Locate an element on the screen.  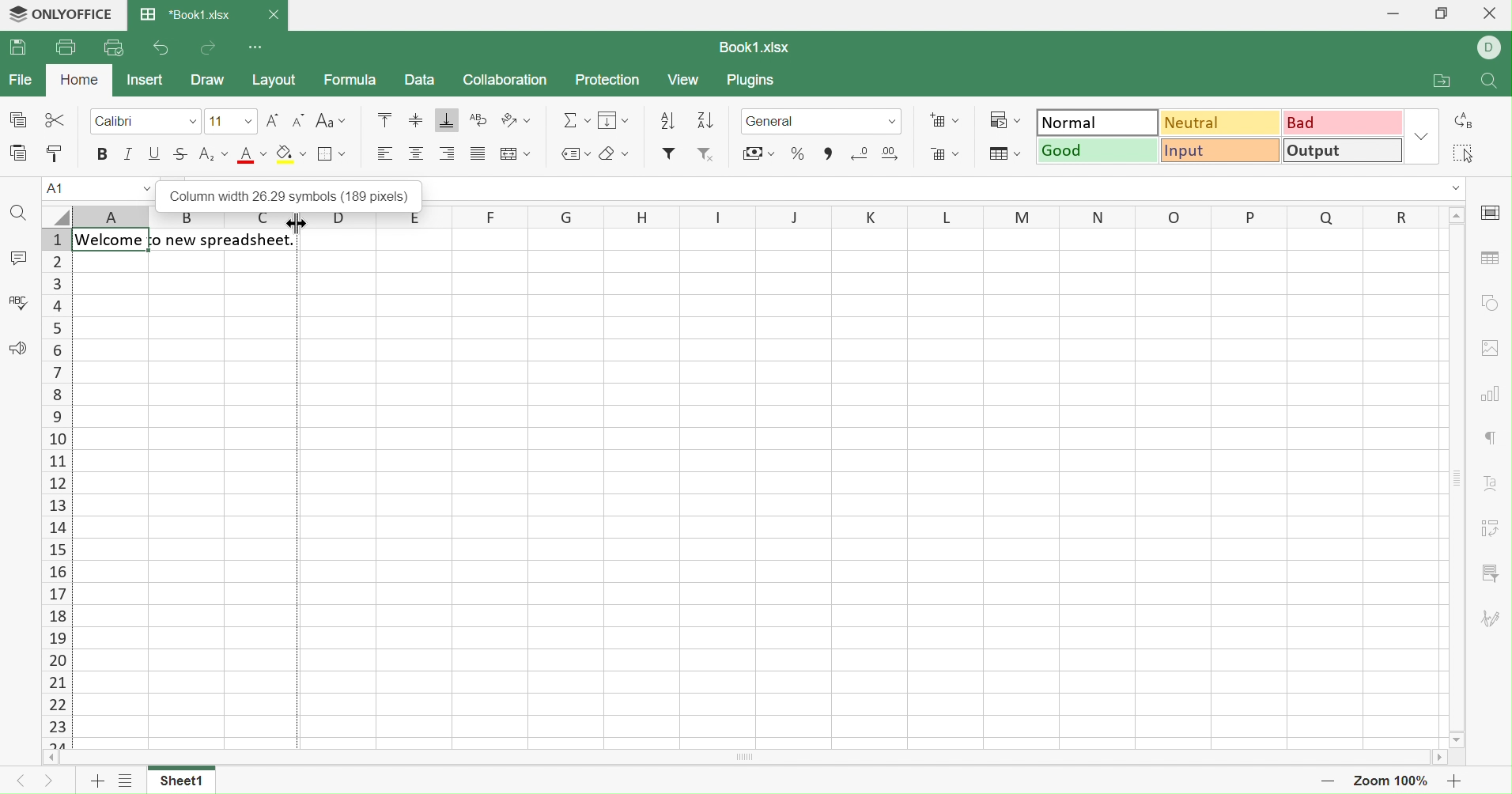
Clear is located at coordinates (615, 153).